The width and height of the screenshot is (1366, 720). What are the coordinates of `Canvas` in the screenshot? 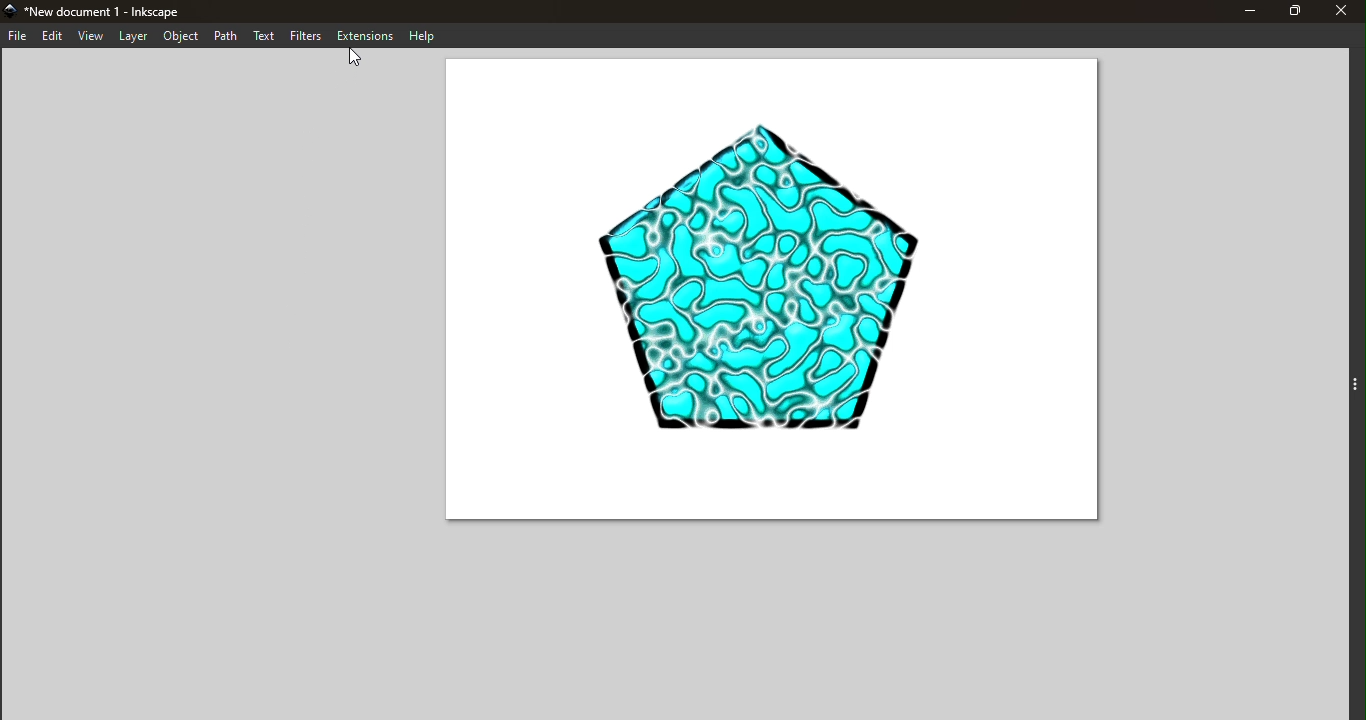 It's located at (766, 294).